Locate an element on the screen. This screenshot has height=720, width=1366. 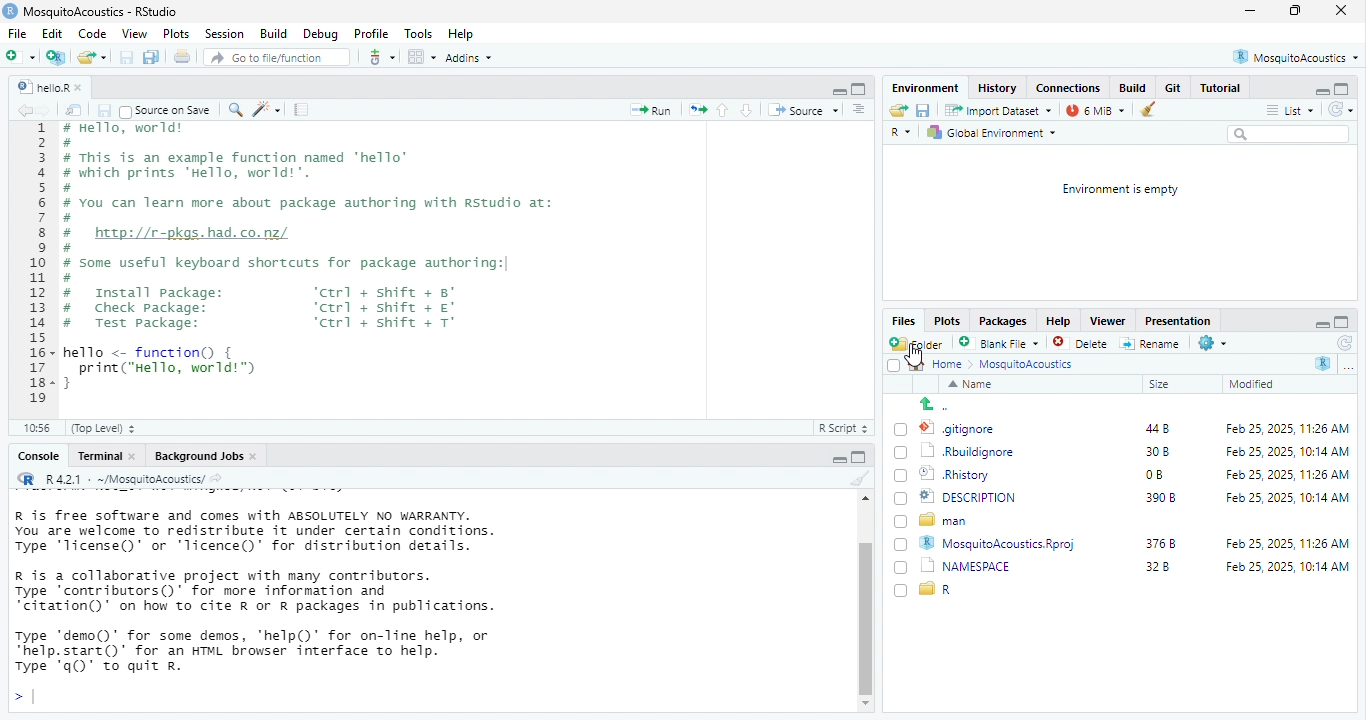
save current document is located at coordinates (928, 112).